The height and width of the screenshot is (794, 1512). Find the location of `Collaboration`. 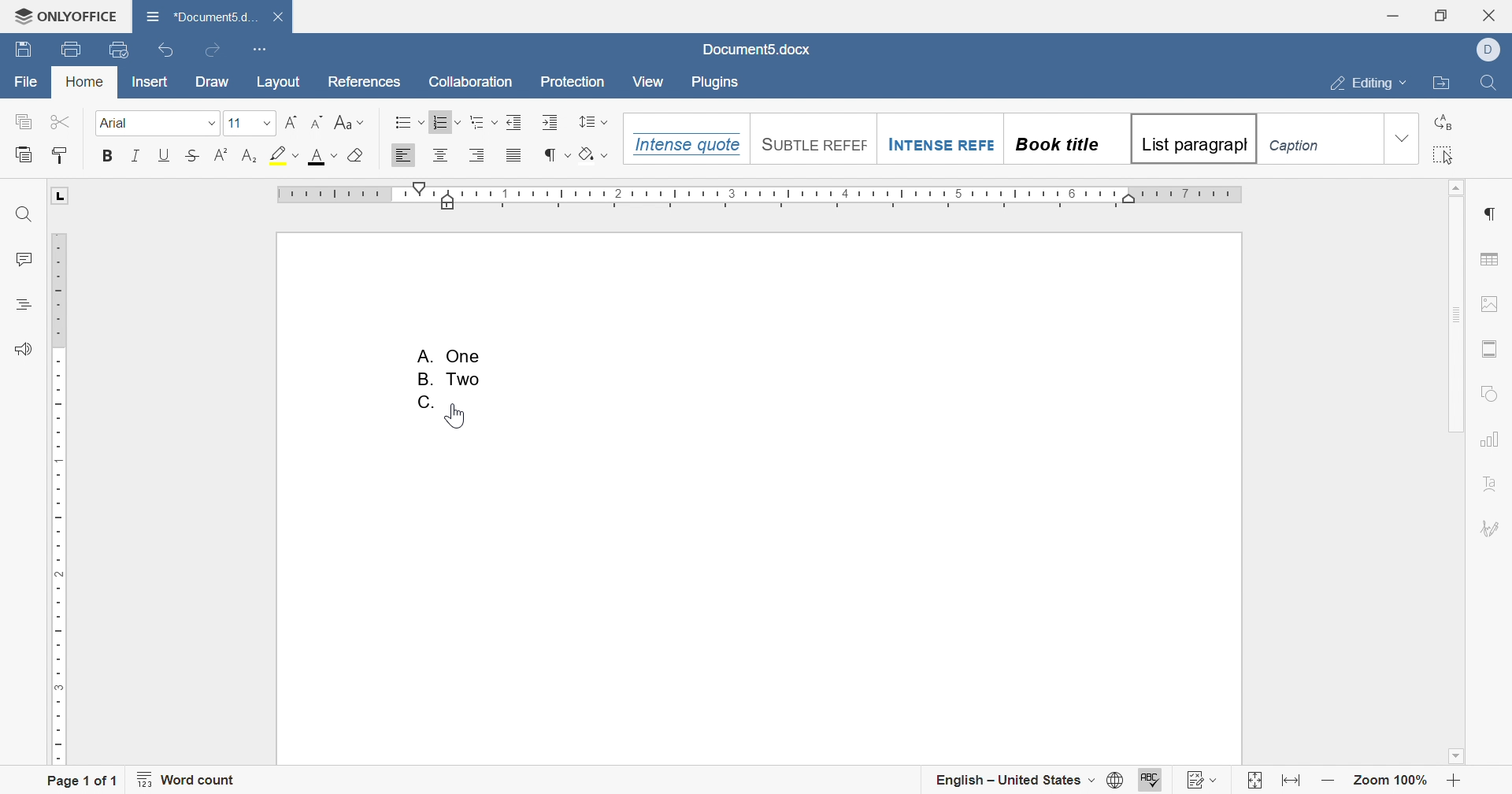

Collaboration is located at coordinates (472, 81).